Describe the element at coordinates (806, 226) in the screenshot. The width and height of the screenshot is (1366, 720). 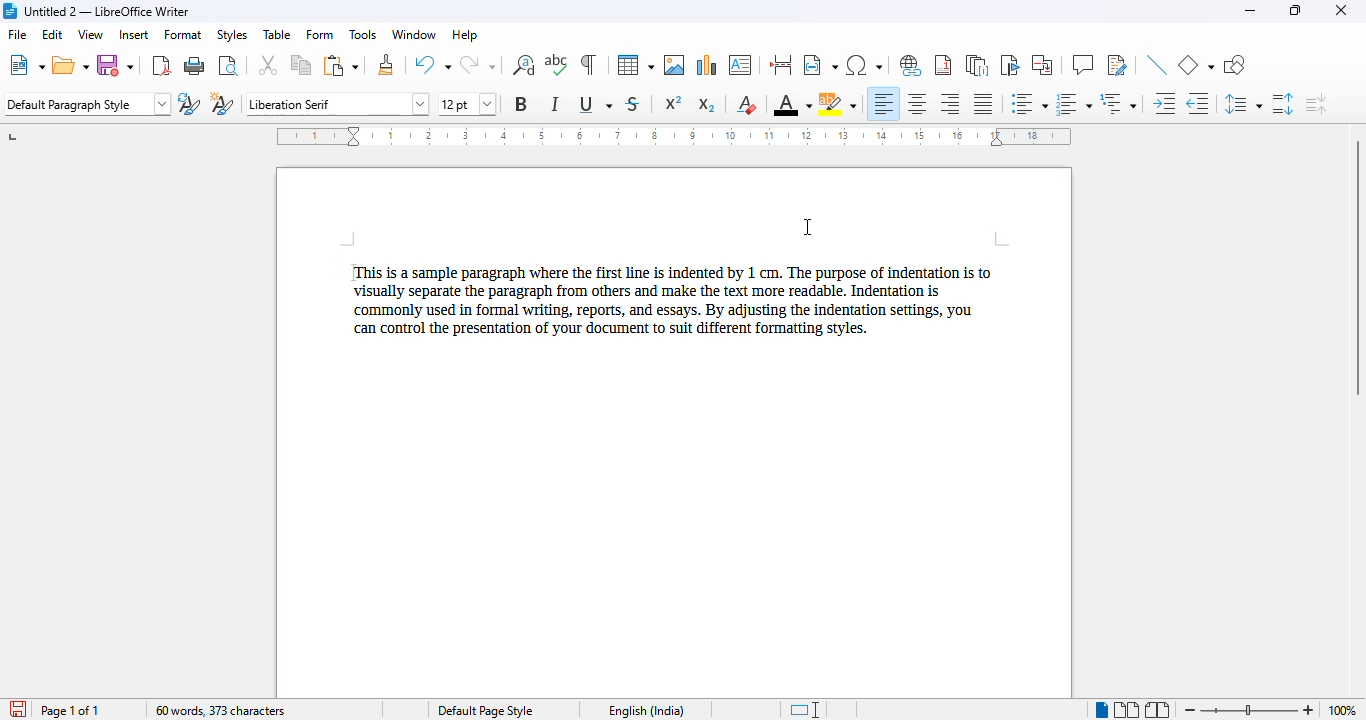
I see `cursor` at that location.